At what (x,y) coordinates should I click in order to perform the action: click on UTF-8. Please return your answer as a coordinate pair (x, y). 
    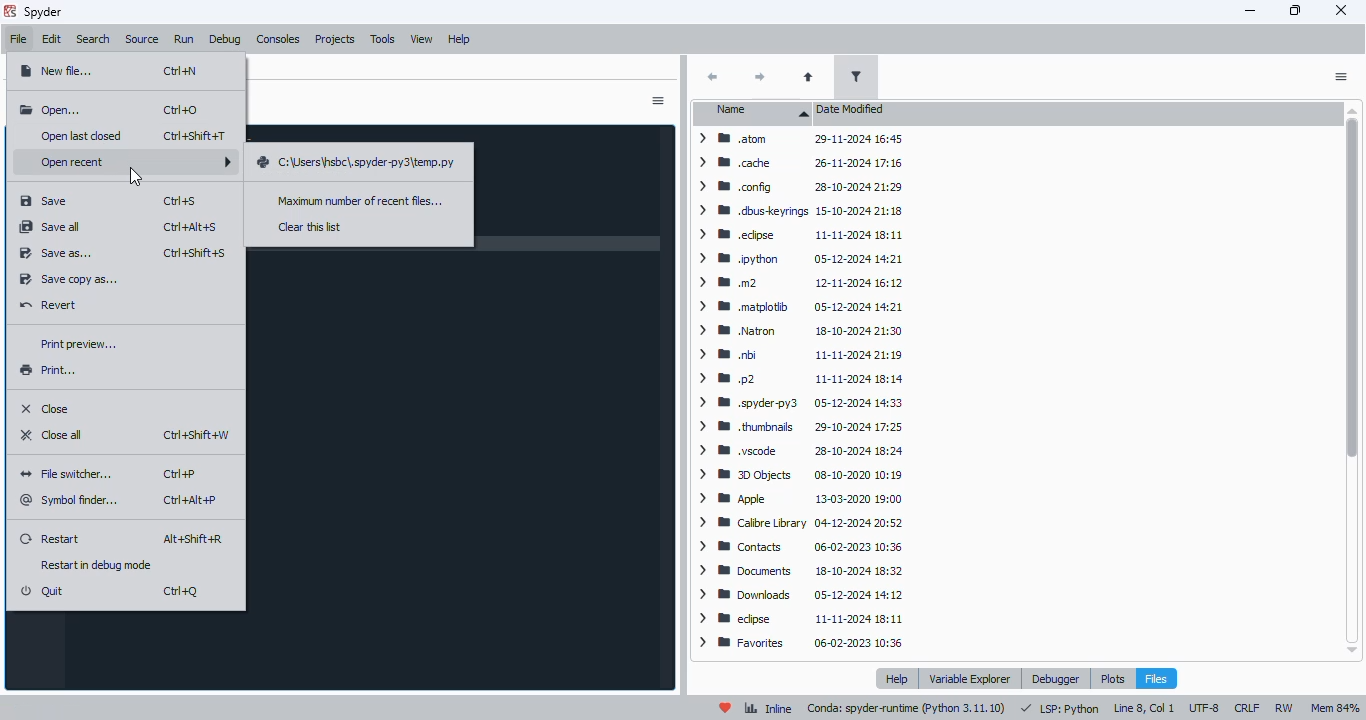
    Looking at the image, I should click on (1205, 709).